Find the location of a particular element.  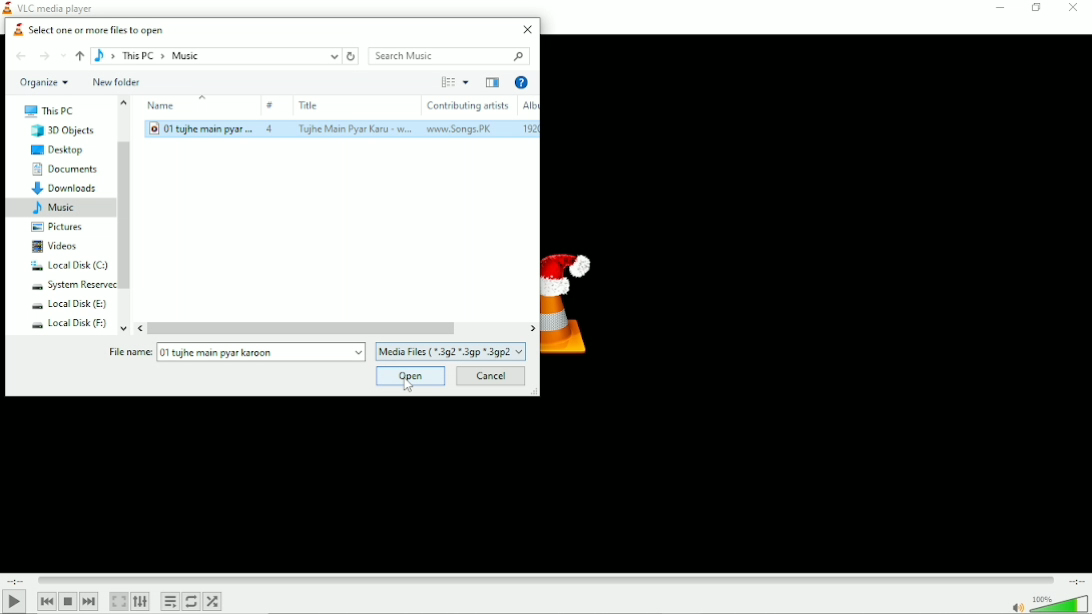

Media files is located at coordinates (451, 351).